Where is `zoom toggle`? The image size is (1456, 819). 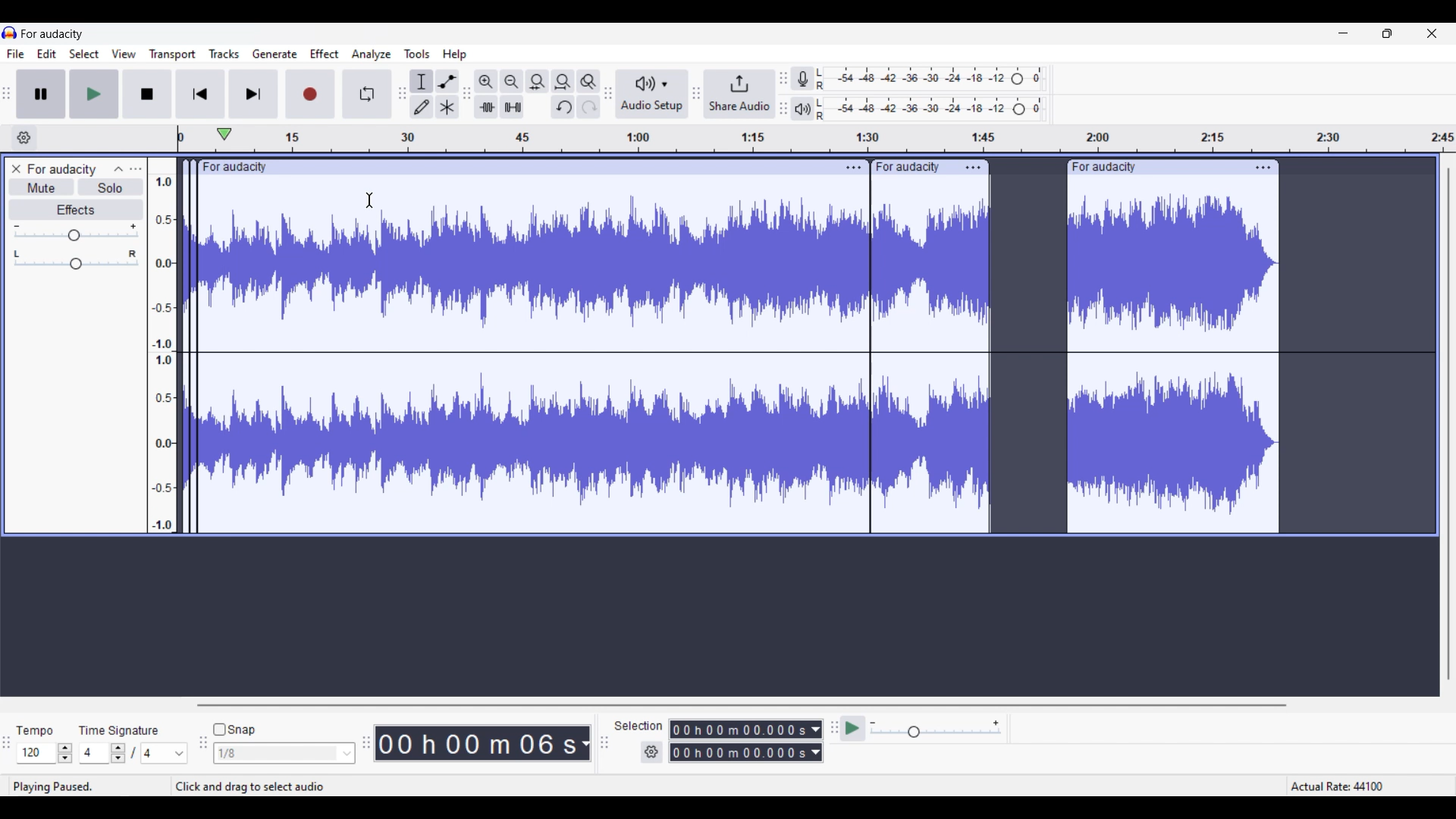
zoom toggle is located at coordinates (588, 82).